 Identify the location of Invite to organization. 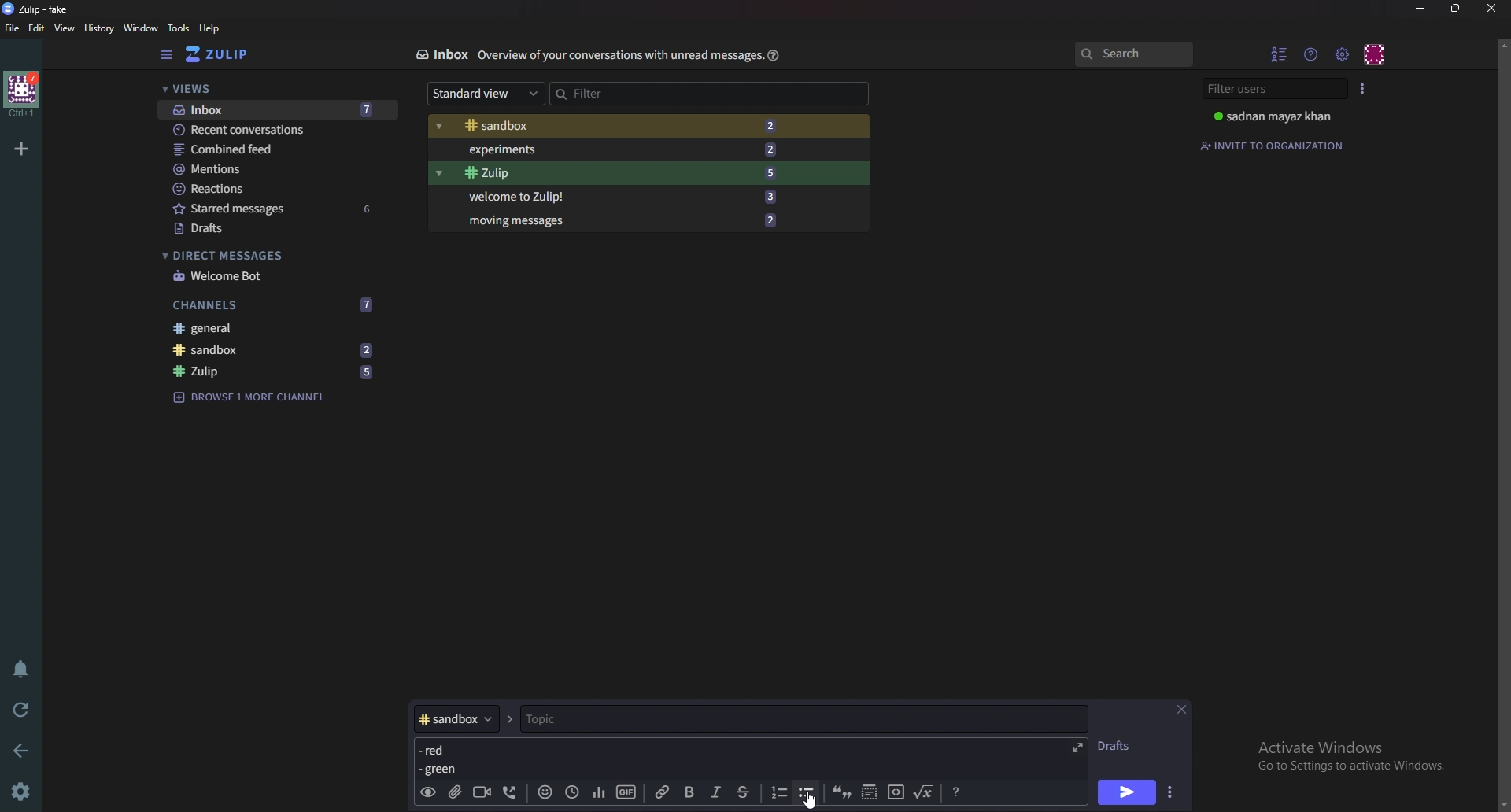
(1274, 146).